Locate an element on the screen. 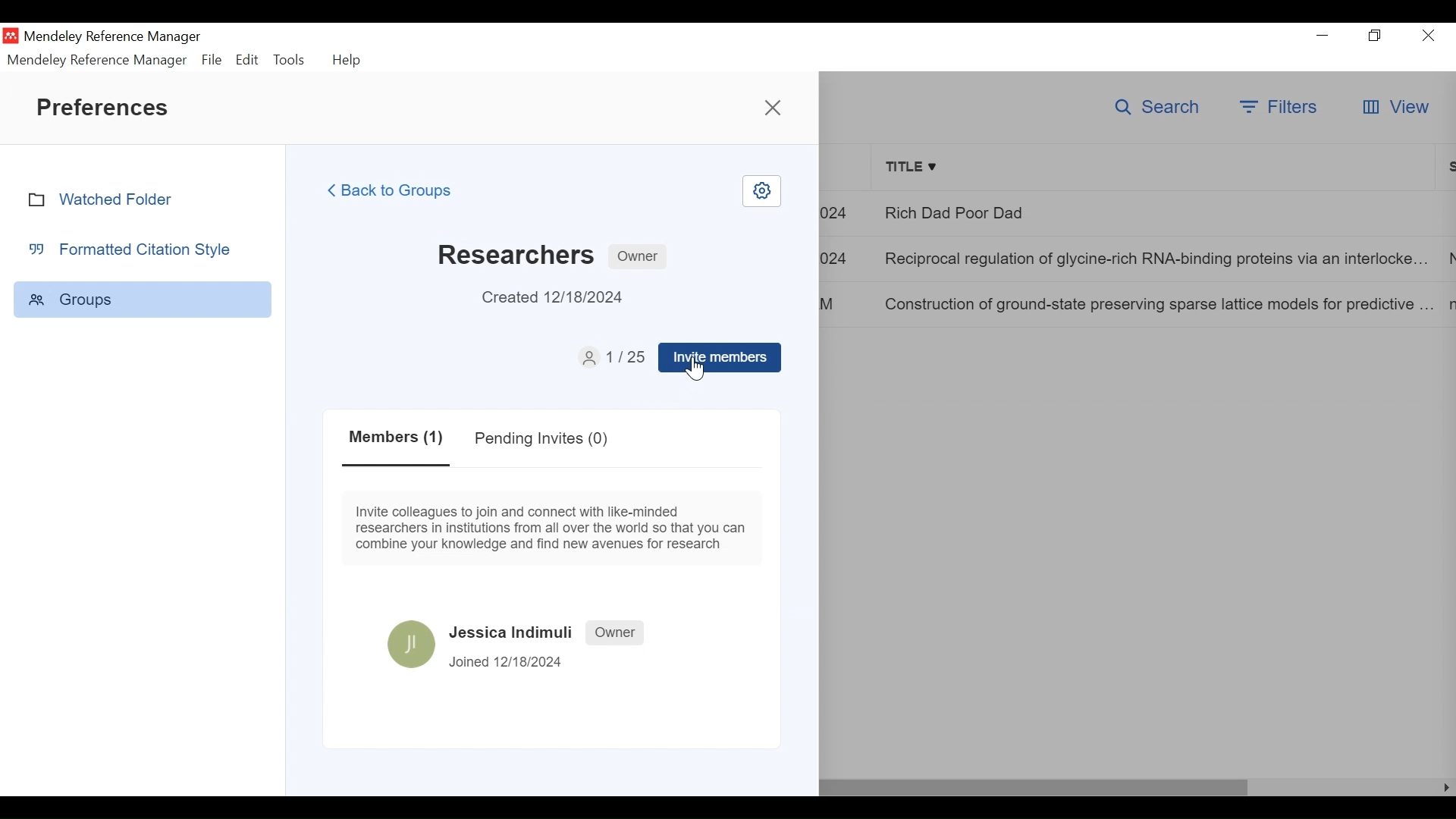 This screenshot has width=1456, height=819. Jessica Indimuli is located at coordinates (513, 632).